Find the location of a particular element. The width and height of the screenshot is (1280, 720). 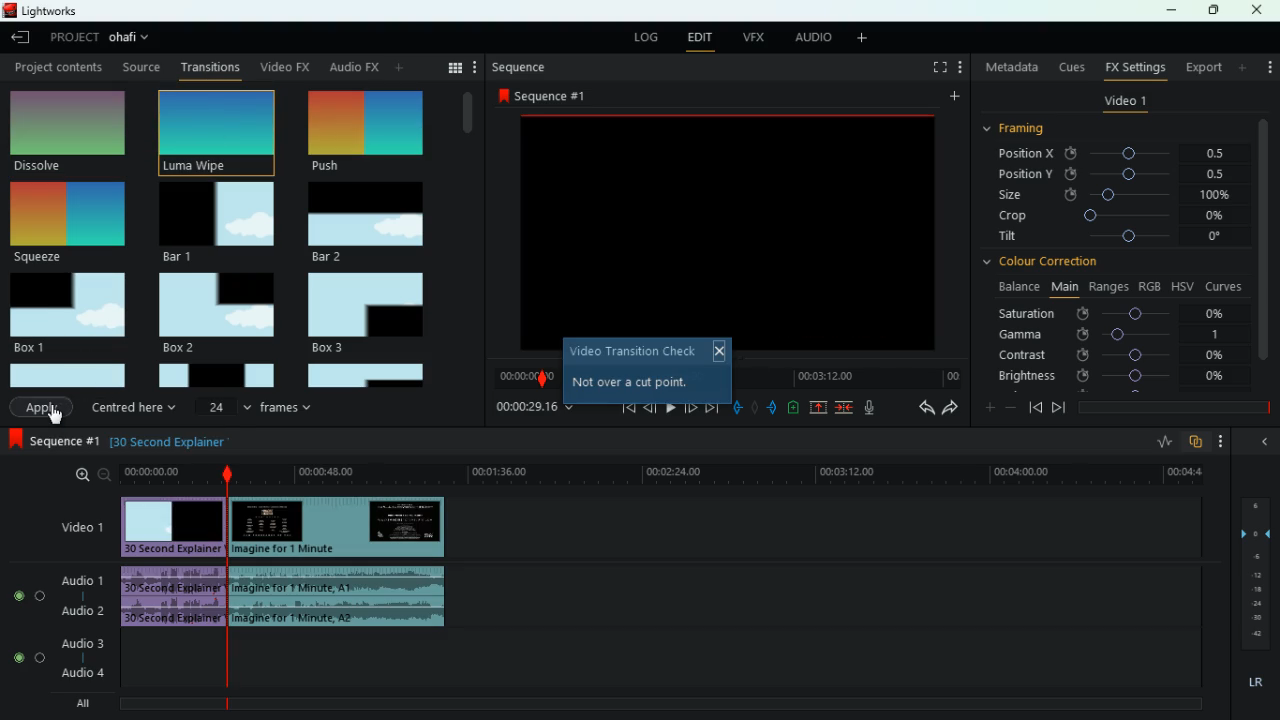

centered here is located at coordinates (137, 406).